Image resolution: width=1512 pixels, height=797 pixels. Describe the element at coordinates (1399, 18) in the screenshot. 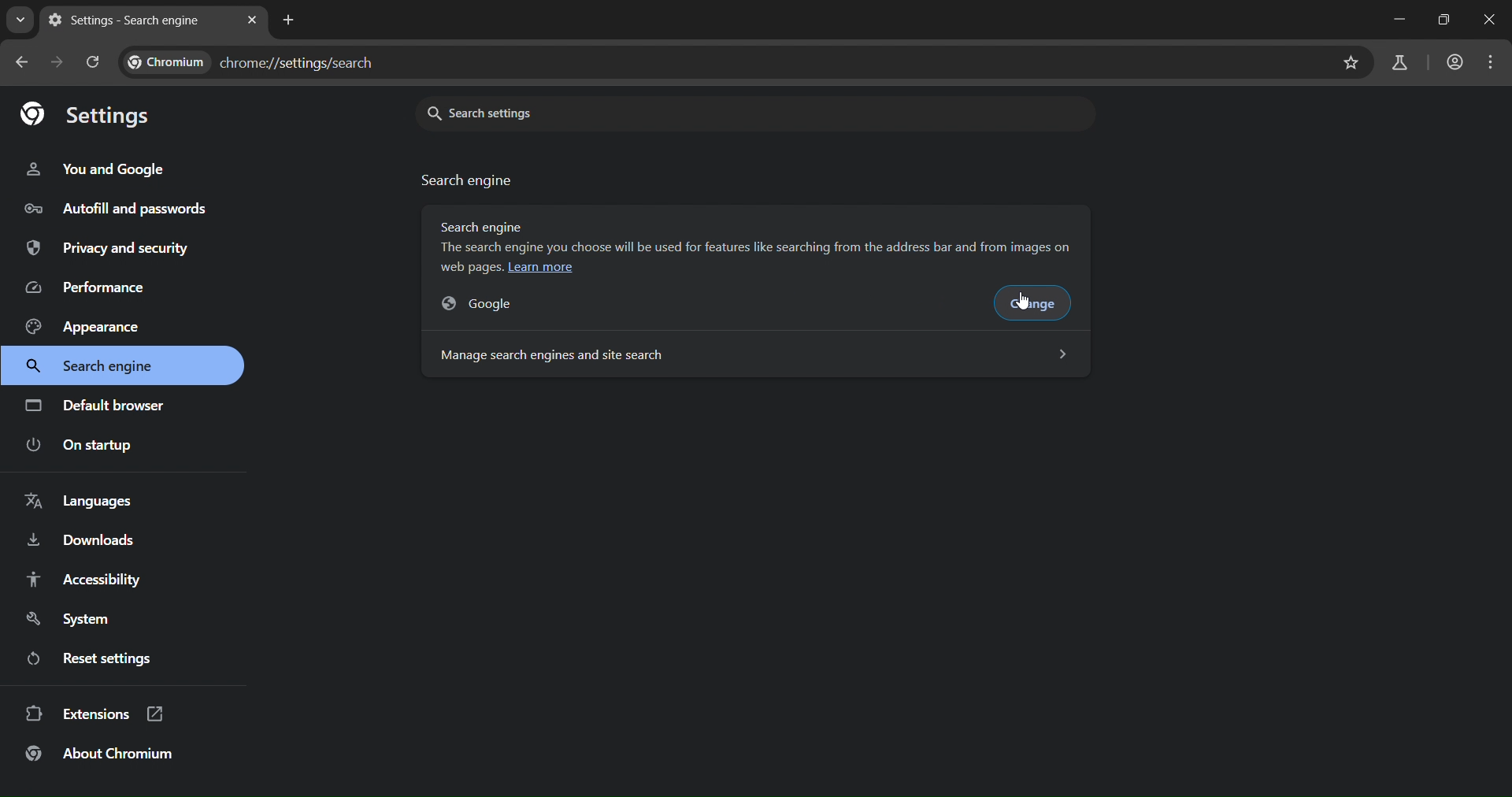

I see `minimize` at that location.